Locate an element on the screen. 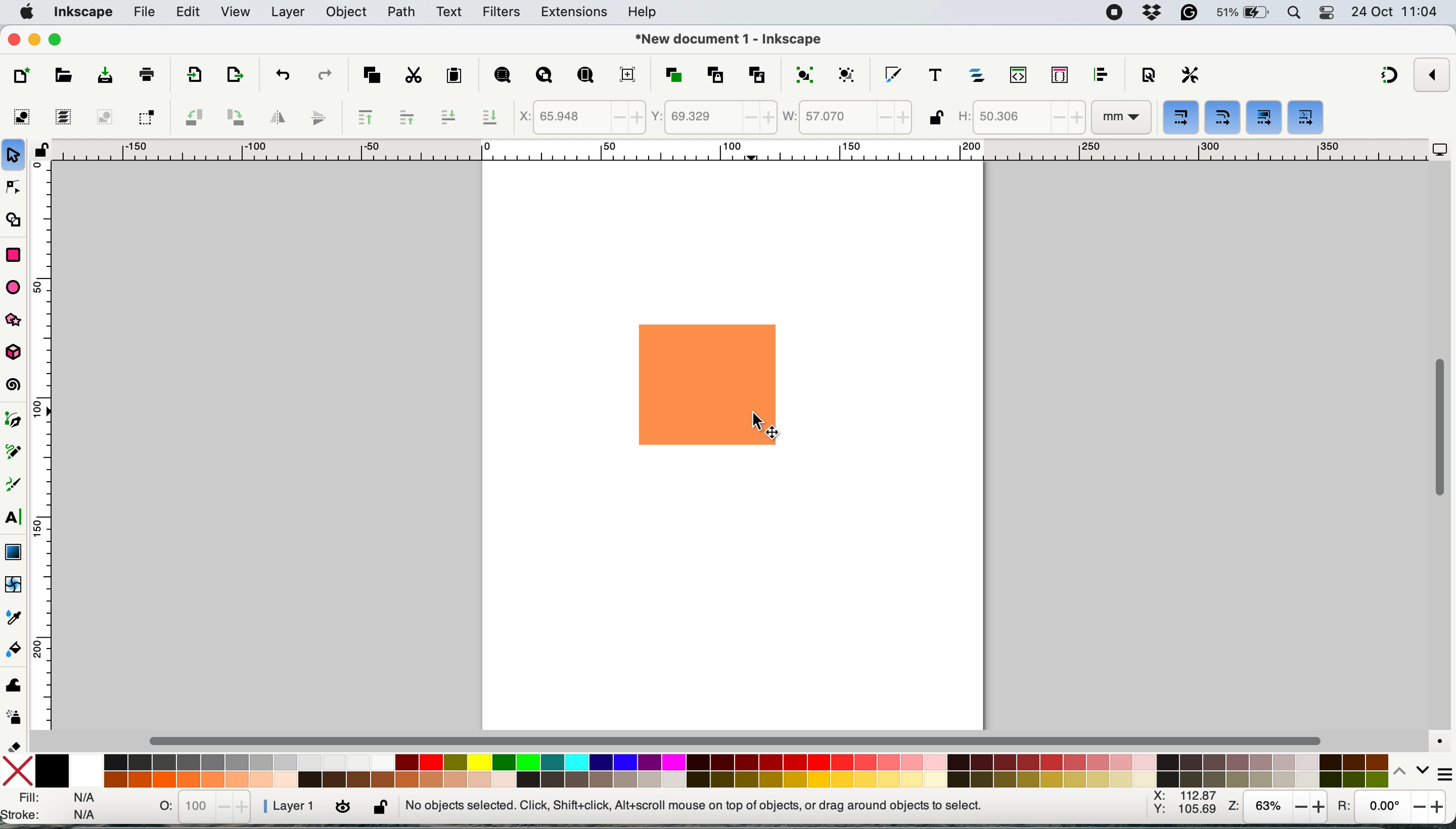 The width and height of the screenshot is (1456, 829). maximise is located at coordinates (59, 39).